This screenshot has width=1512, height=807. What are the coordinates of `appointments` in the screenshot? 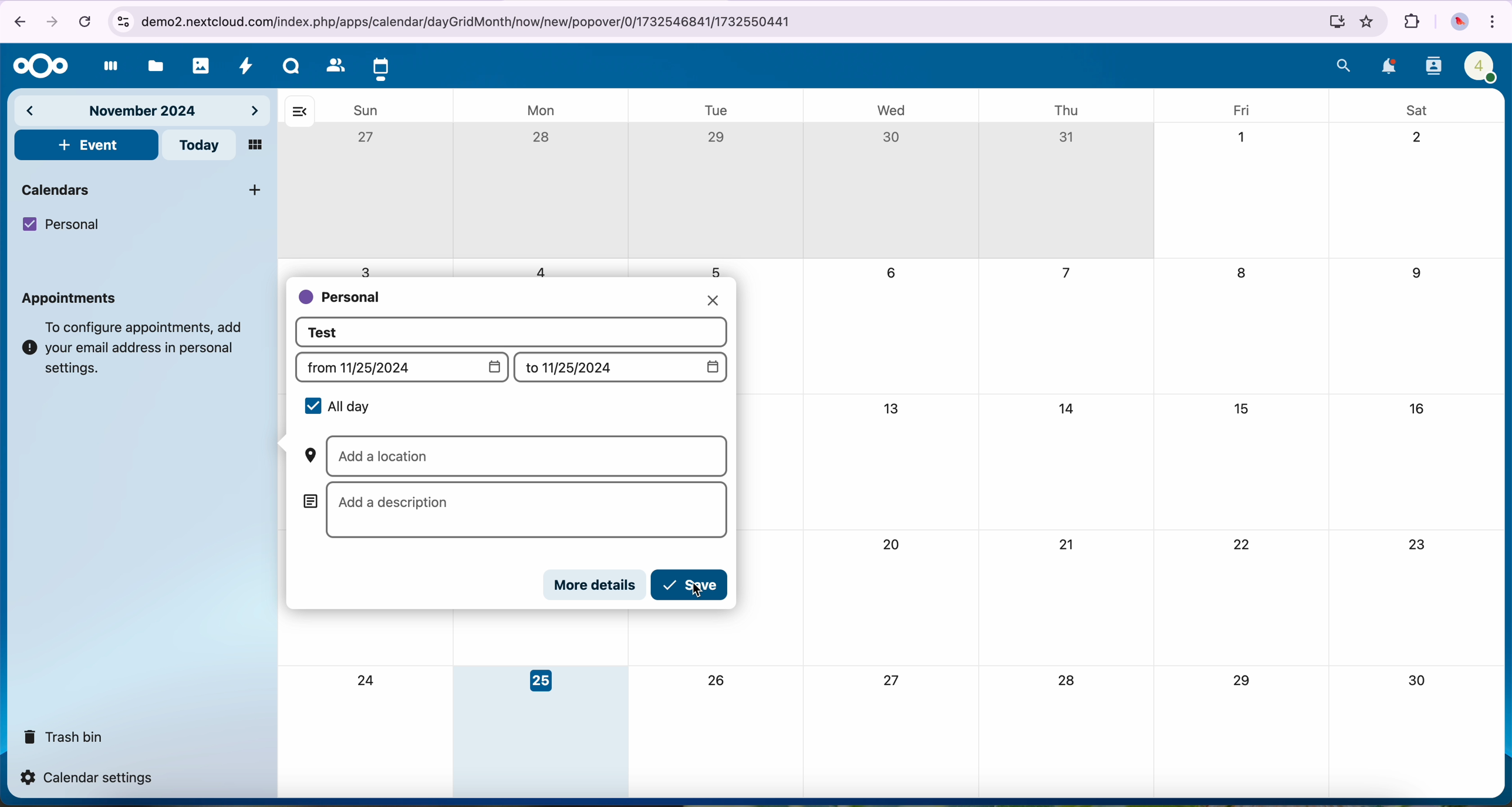 It's located at (73, 298).